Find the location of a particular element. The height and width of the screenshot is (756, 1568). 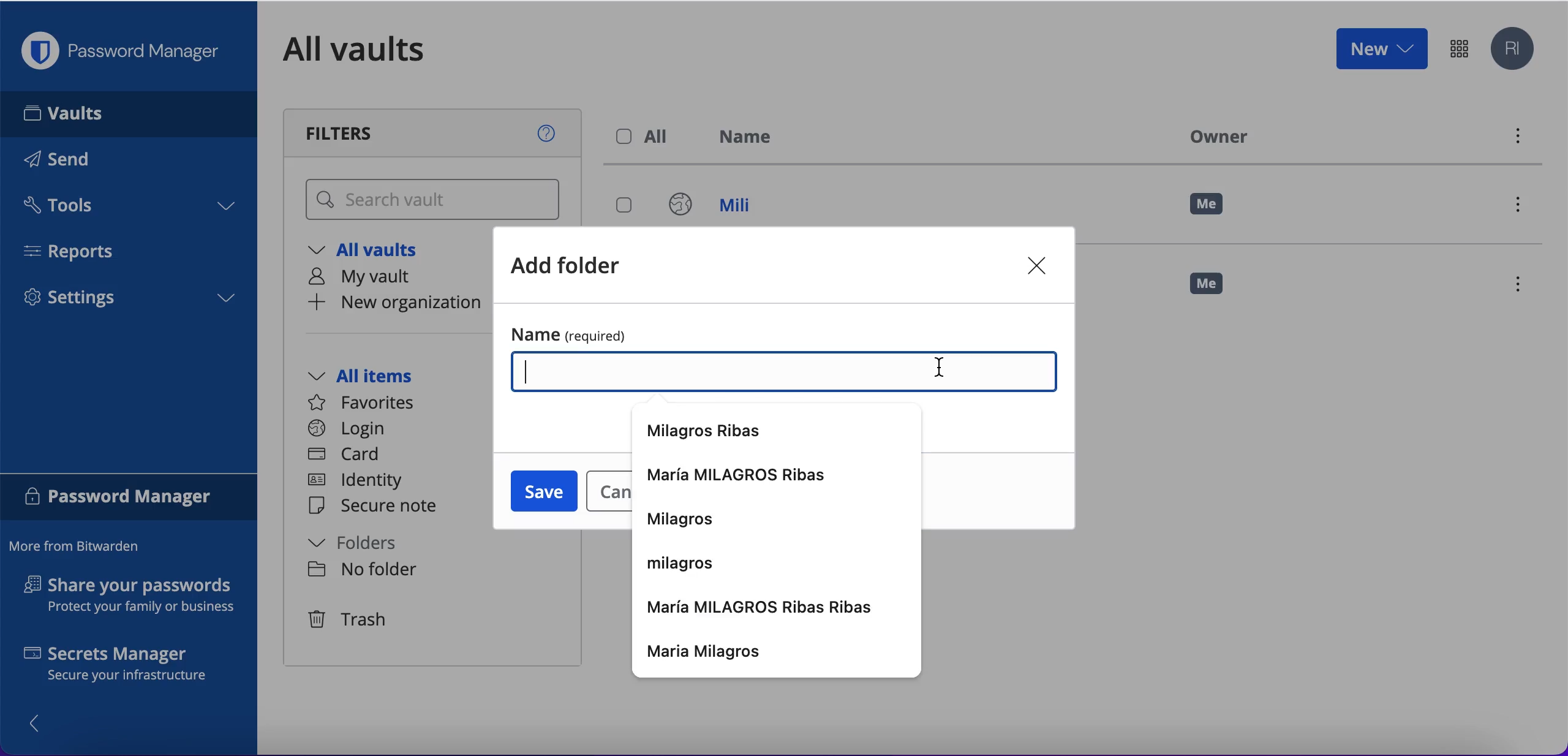

no folder is located at coordinates (363, 572).